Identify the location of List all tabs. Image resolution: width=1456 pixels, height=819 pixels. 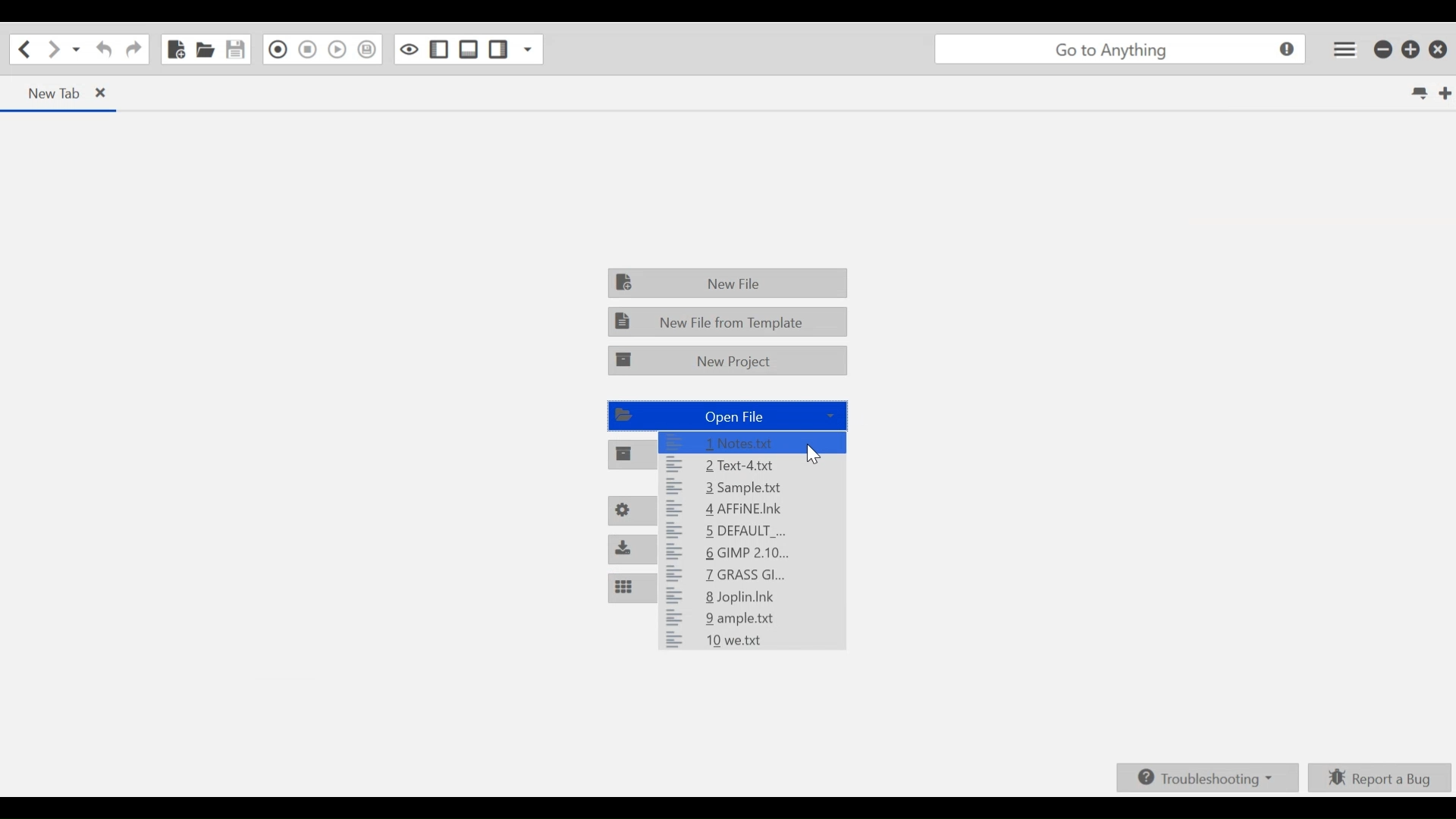
(1417, 93).